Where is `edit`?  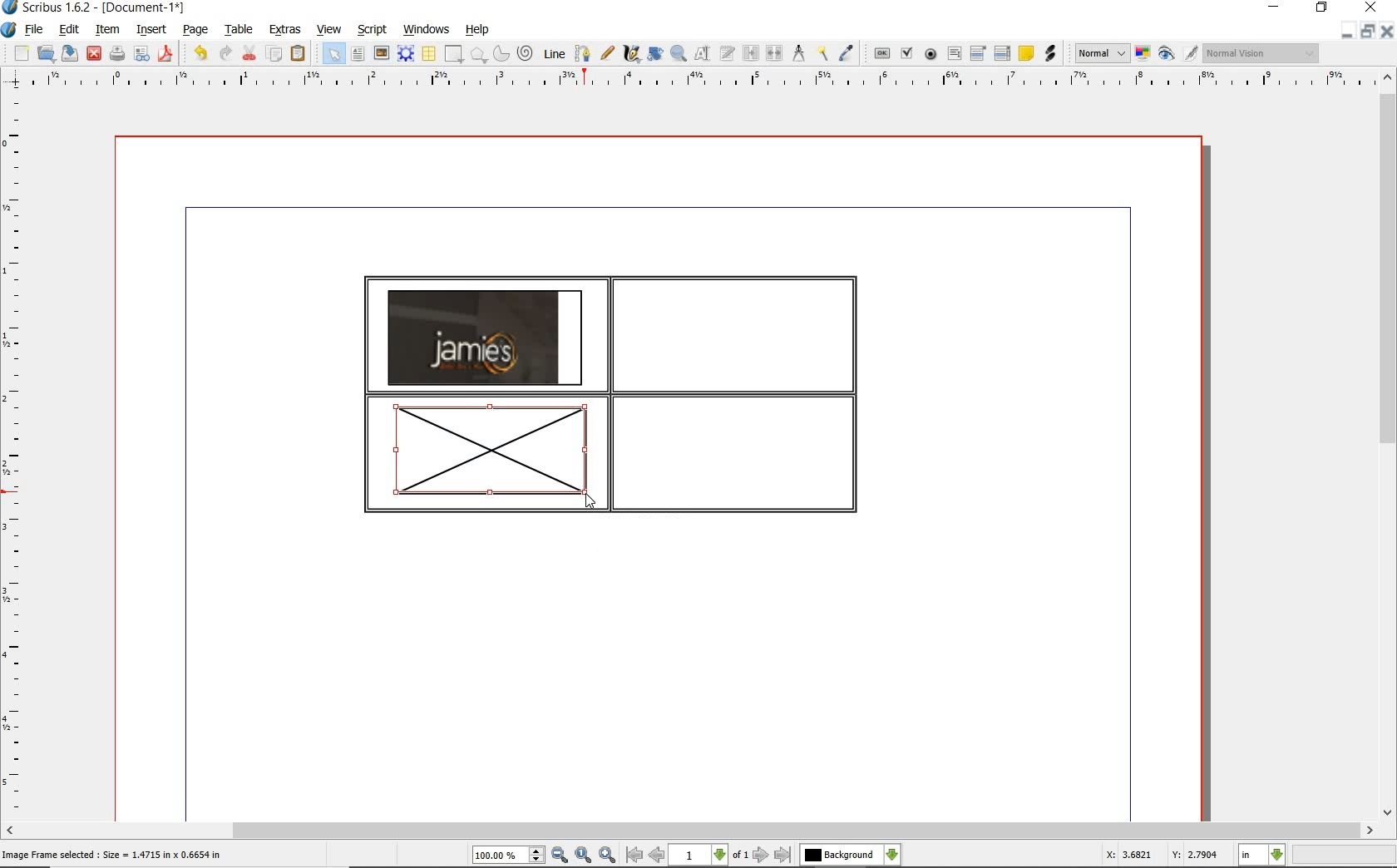
edit is located at coordinates (67, 30).